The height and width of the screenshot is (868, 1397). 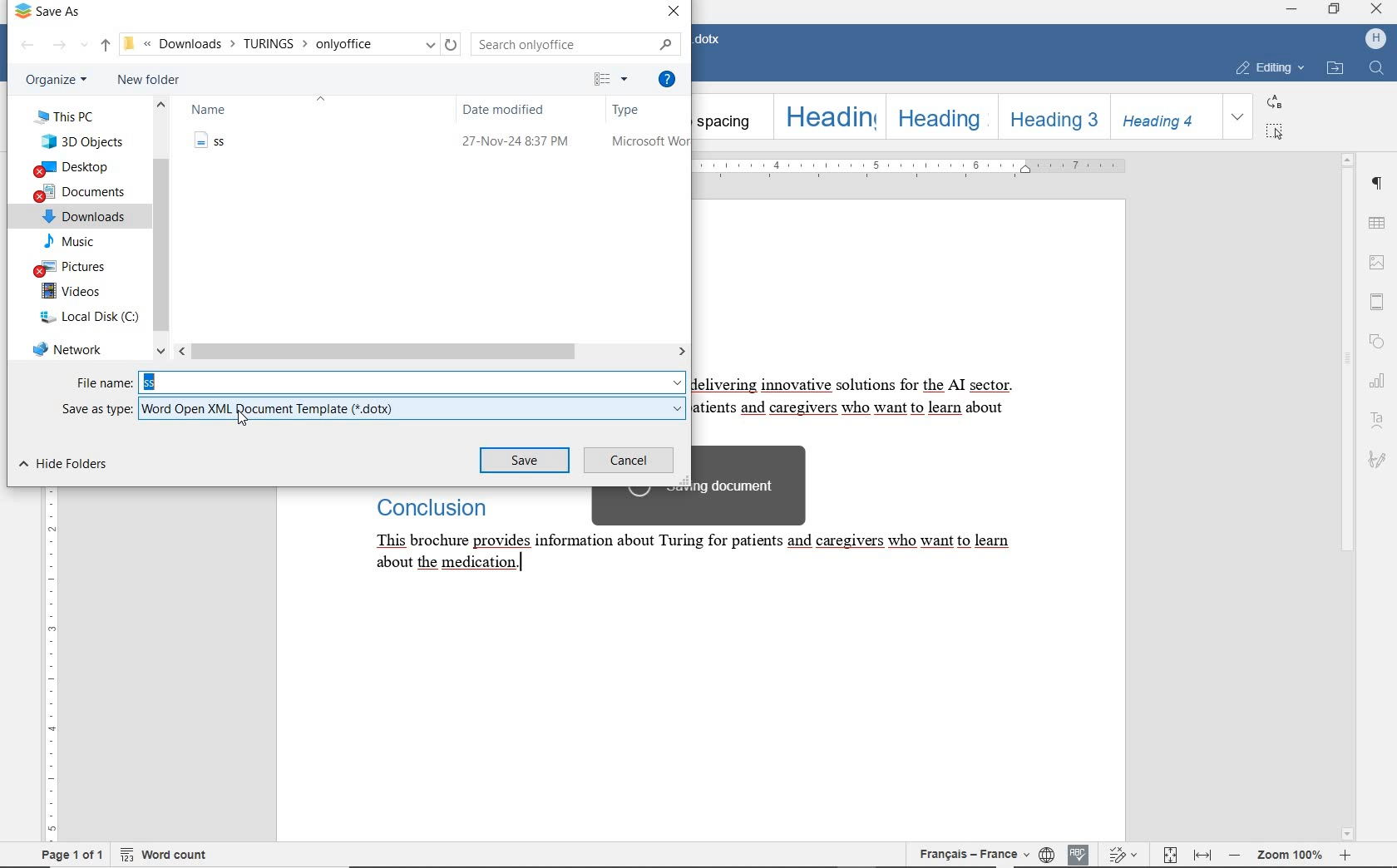 I want to click on SAVE AS, so click(x=63, y=12).